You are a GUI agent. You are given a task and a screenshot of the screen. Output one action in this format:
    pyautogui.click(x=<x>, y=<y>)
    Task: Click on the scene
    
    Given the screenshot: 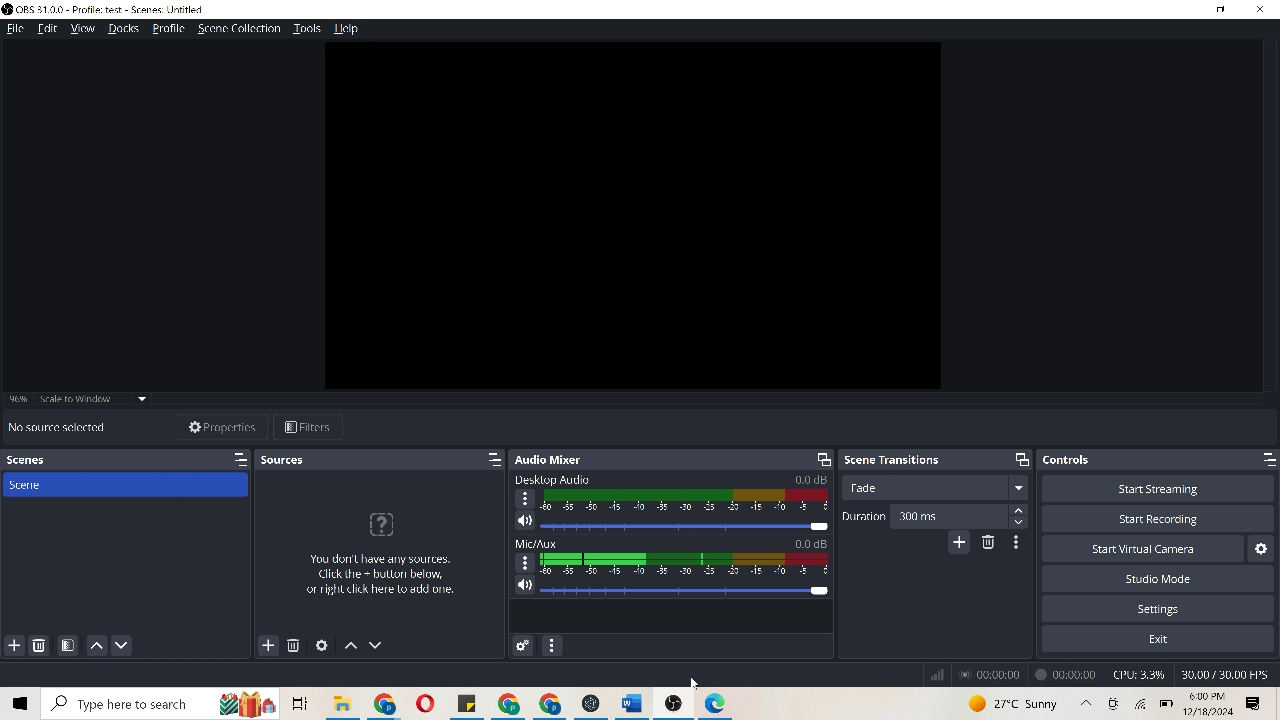 What is the action you would take?
    pyautogui.click(x=128, y=487)
    